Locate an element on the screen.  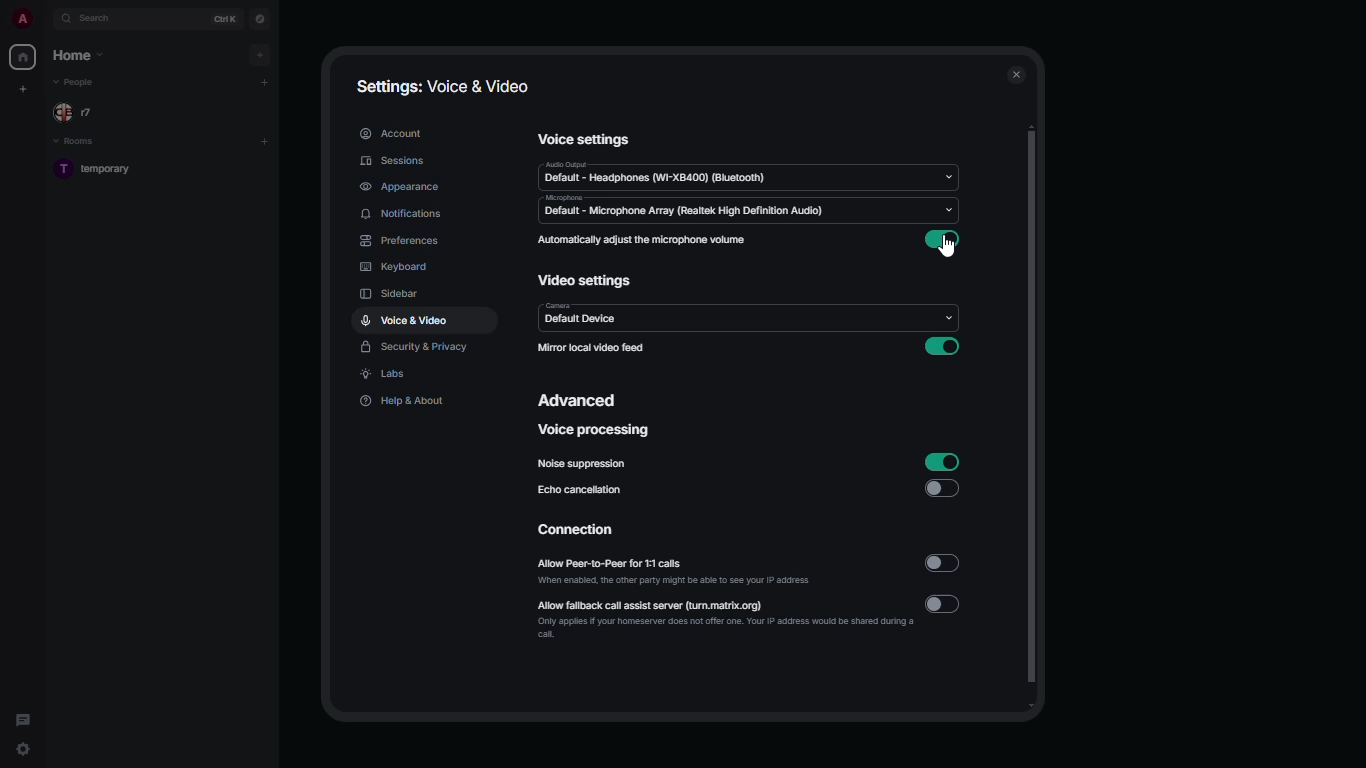
account is located at coordinates (392, 132).